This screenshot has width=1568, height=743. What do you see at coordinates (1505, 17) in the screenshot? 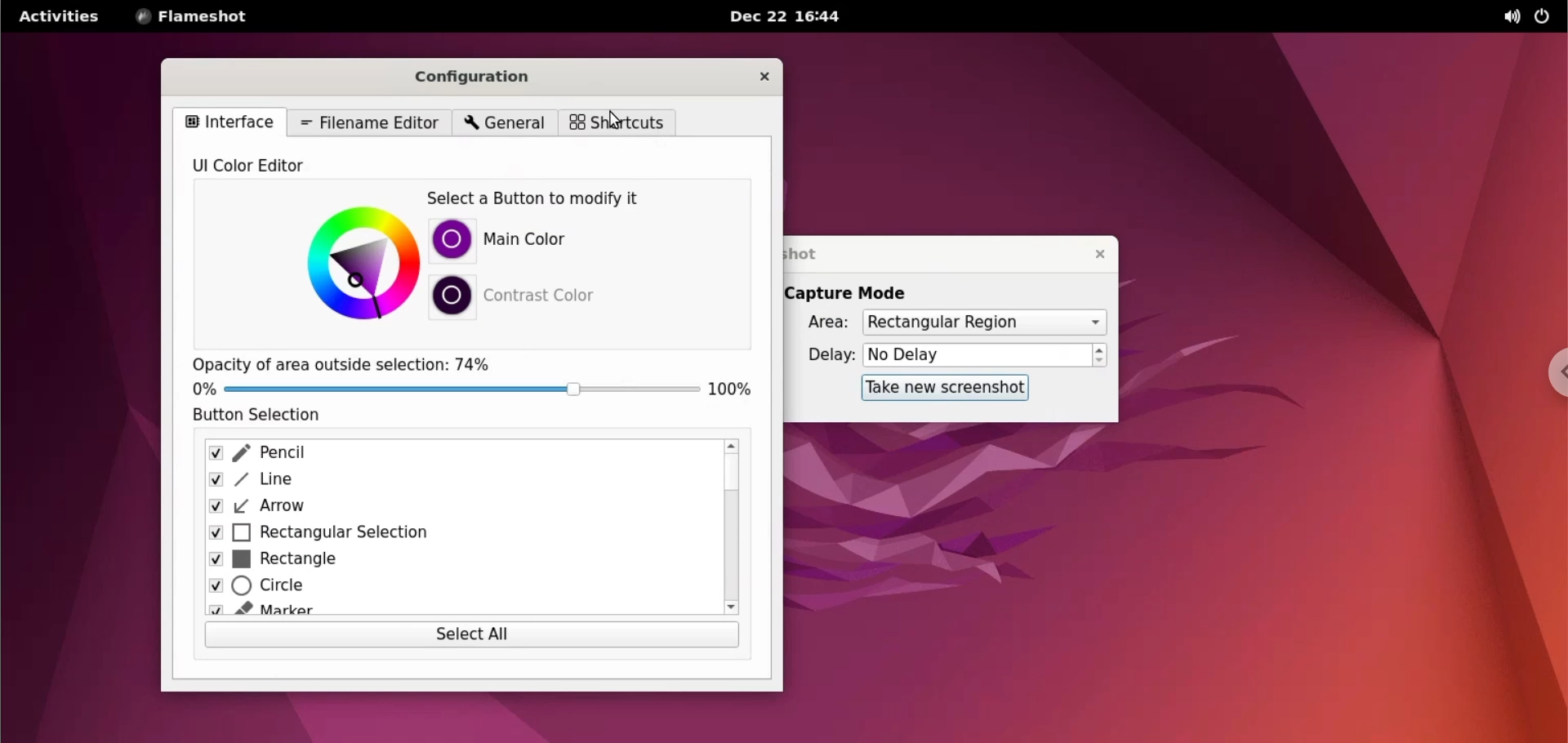
I see `sound options` at bounding box center [1505, 17].